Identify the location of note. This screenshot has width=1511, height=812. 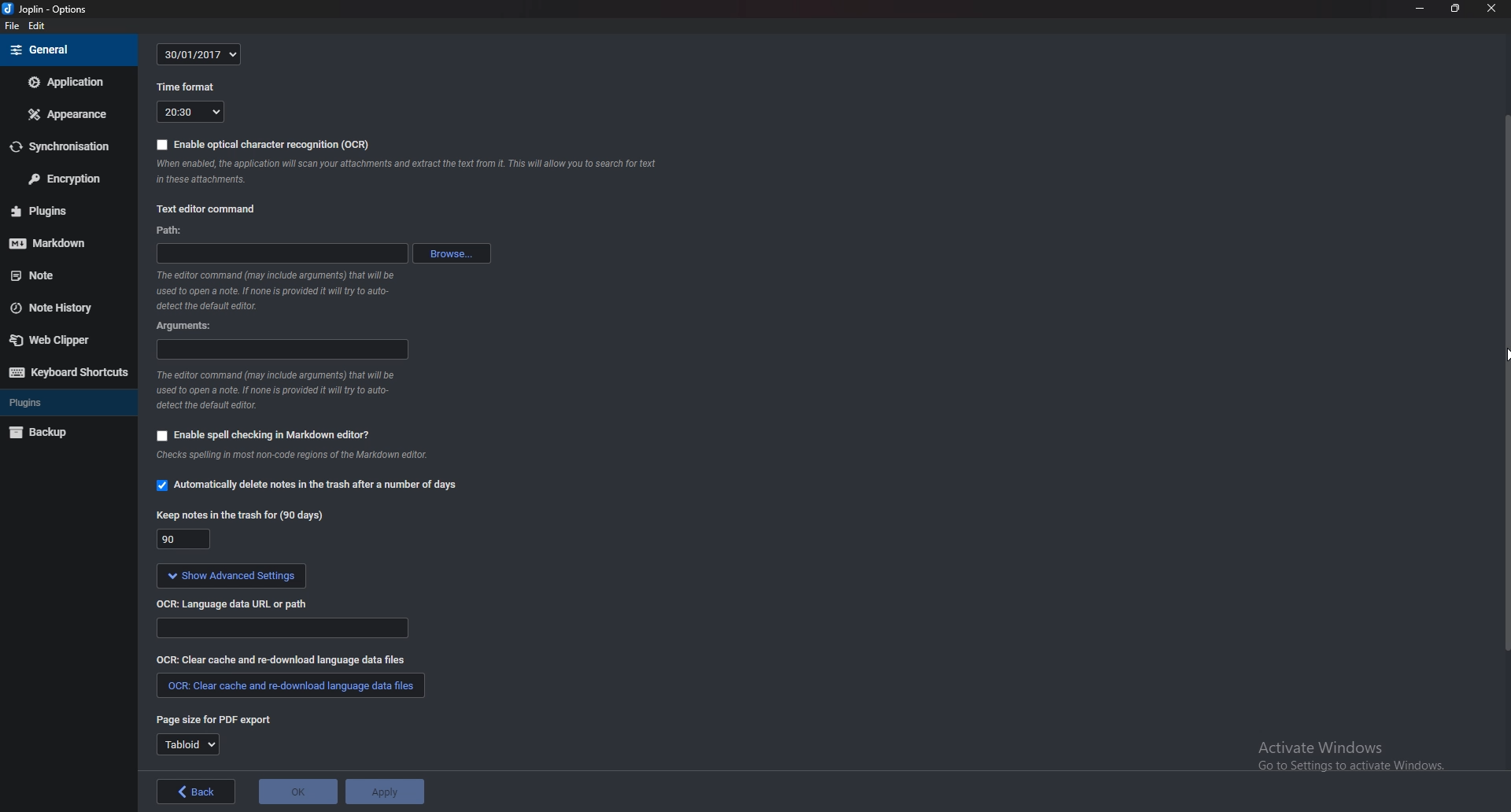
(408, 173).